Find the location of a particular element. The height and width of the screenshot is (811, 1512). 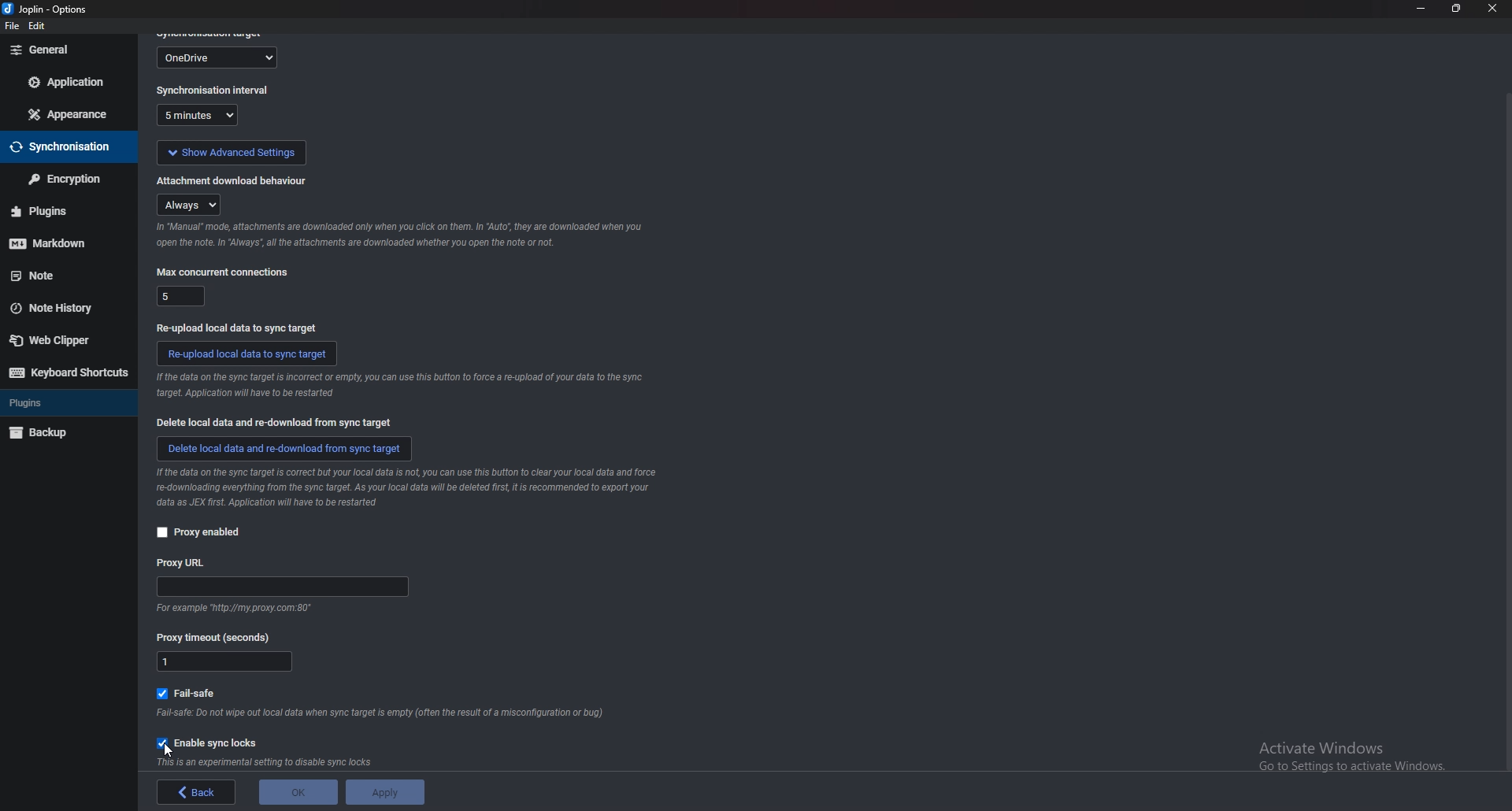

plugins is located at coordinates (56, 211).